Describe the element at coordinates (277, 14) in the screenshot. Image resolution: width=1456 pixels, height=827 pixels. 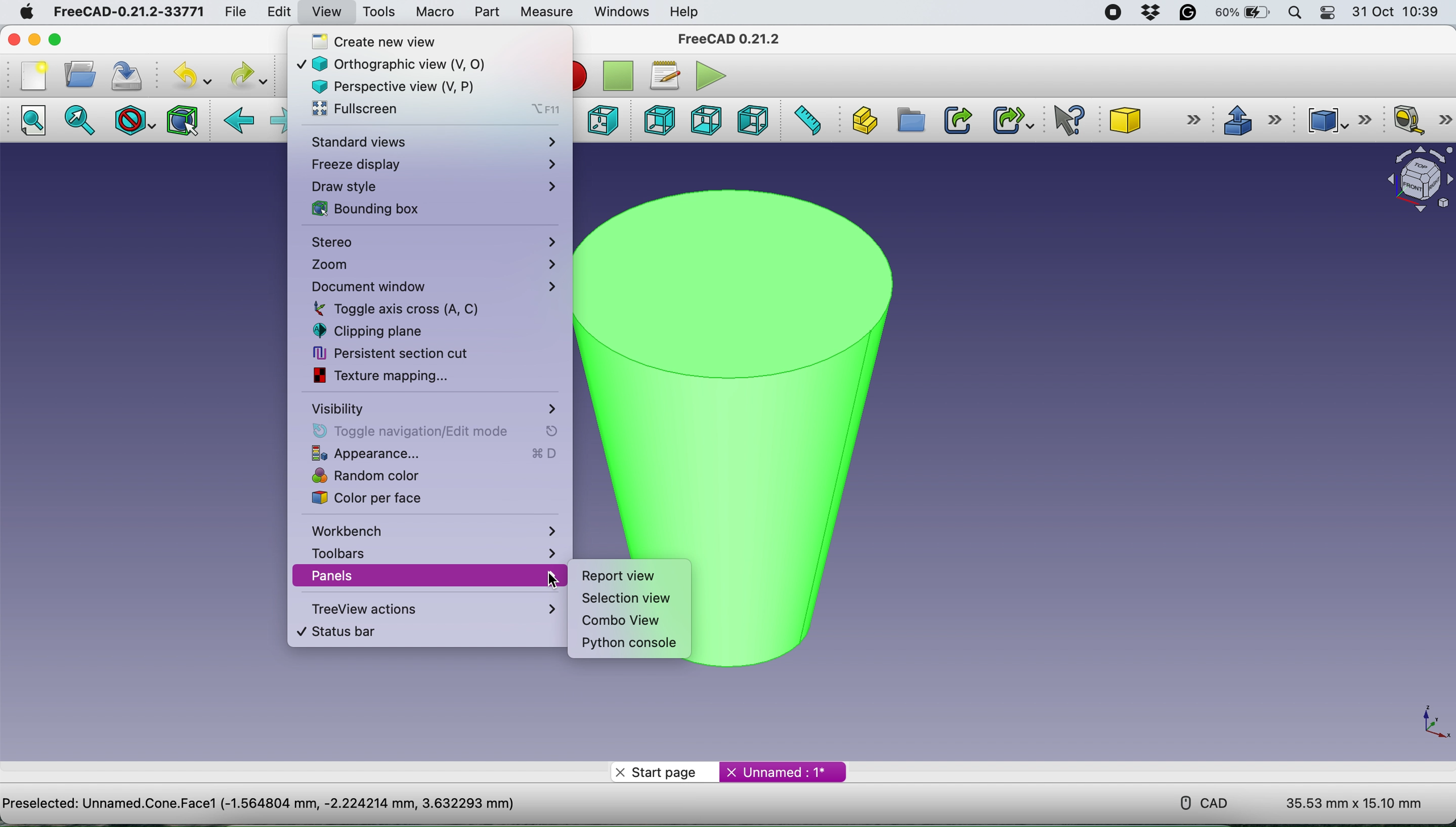
I see `edit` at that location.